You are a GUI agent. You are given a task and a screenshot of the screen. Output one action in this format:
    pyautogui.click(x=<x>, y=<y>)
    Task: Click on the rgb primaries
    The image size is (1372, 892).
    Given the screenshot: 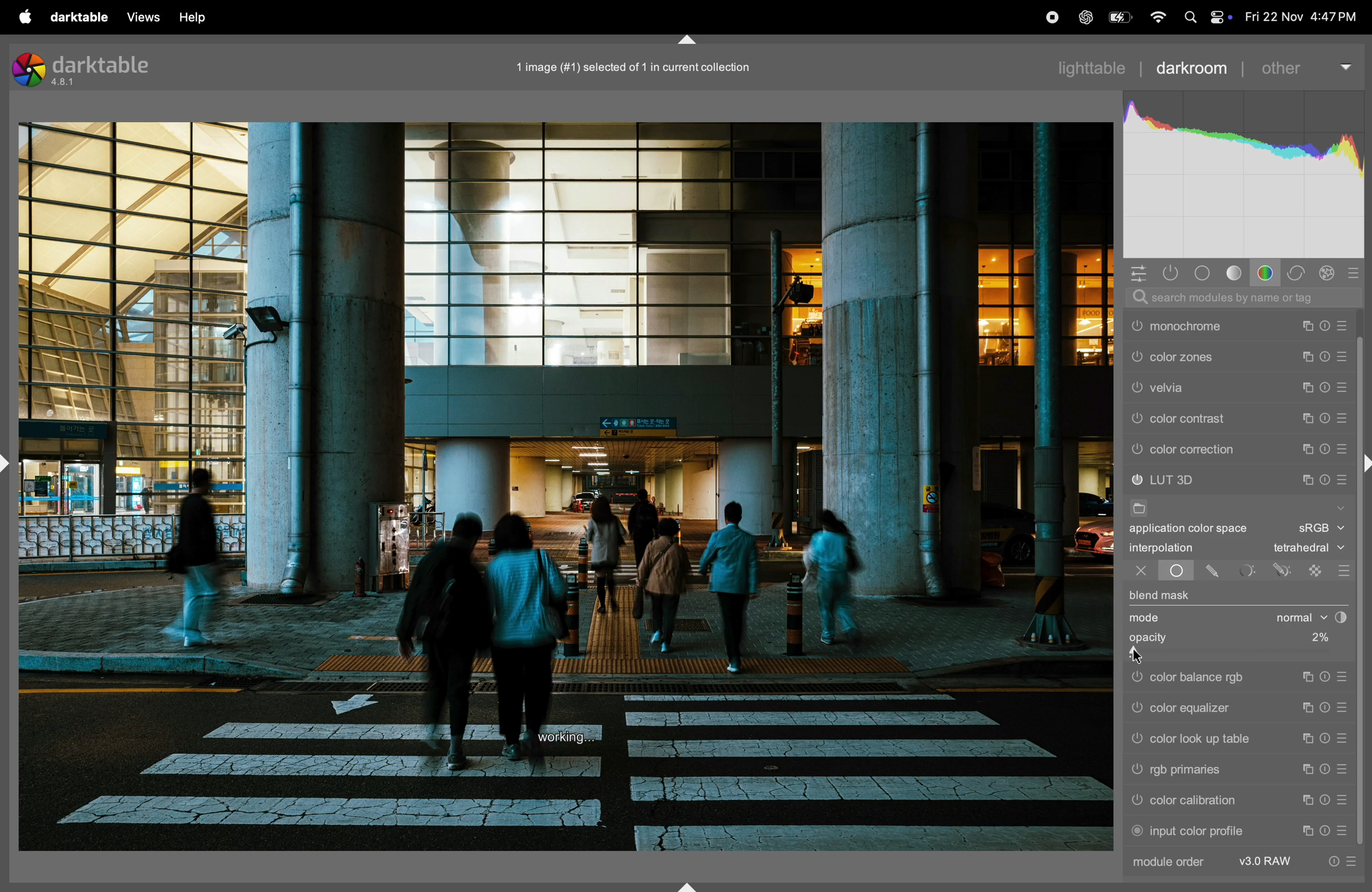 What is the action you would take?
    pyautogui.click(x=1204, y=769)
    